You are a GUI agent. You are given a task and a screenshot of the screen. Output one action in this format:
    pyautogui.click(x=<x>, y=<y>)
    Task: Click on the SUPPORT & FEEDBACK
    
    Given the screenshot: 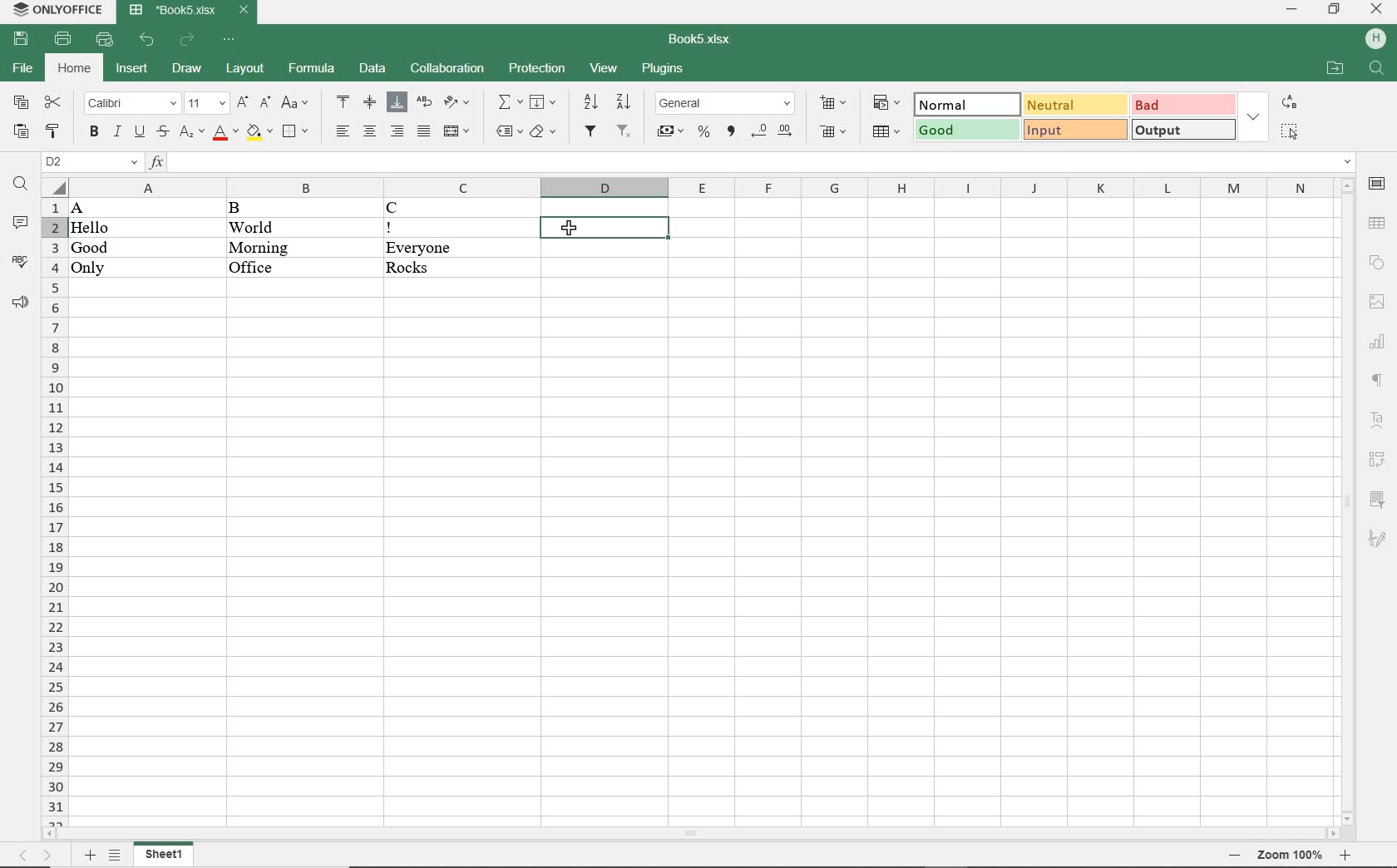 What is the action you would take?
    pyautogui.click(x=19, y=301)
    